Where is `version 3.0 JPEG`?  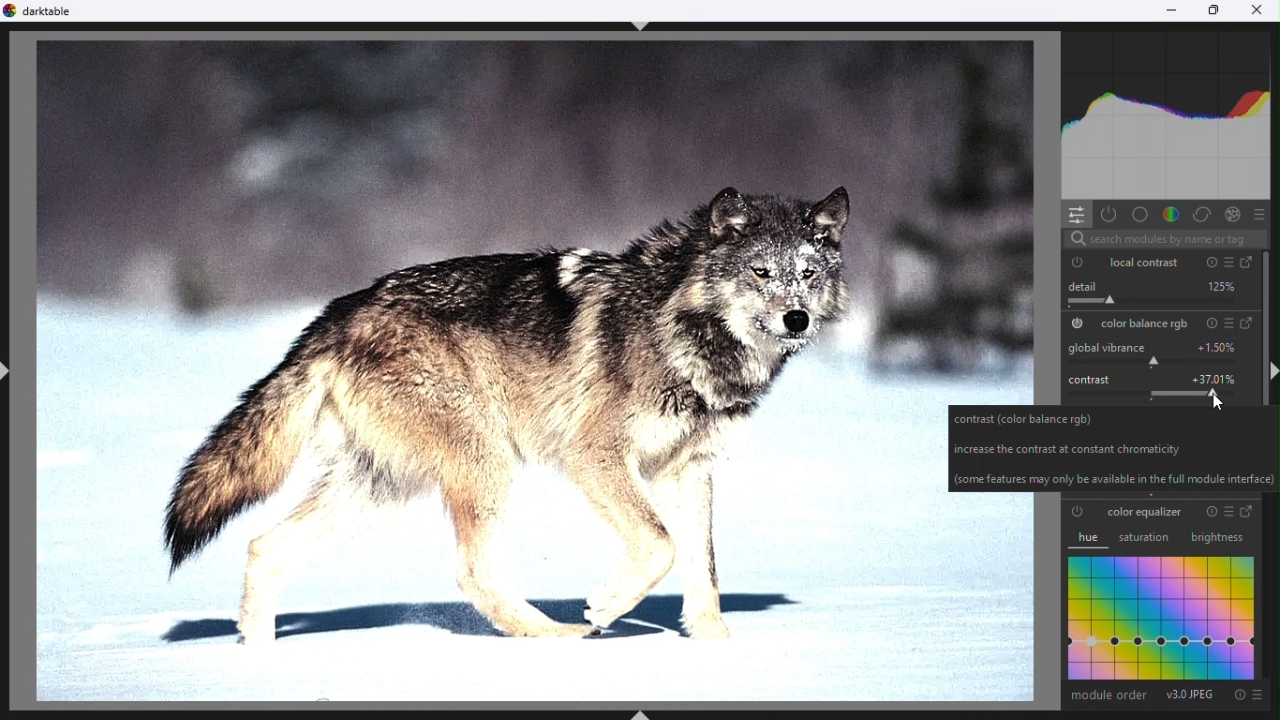
version 3.0 JPEG is located at coordinates (1192, 695).